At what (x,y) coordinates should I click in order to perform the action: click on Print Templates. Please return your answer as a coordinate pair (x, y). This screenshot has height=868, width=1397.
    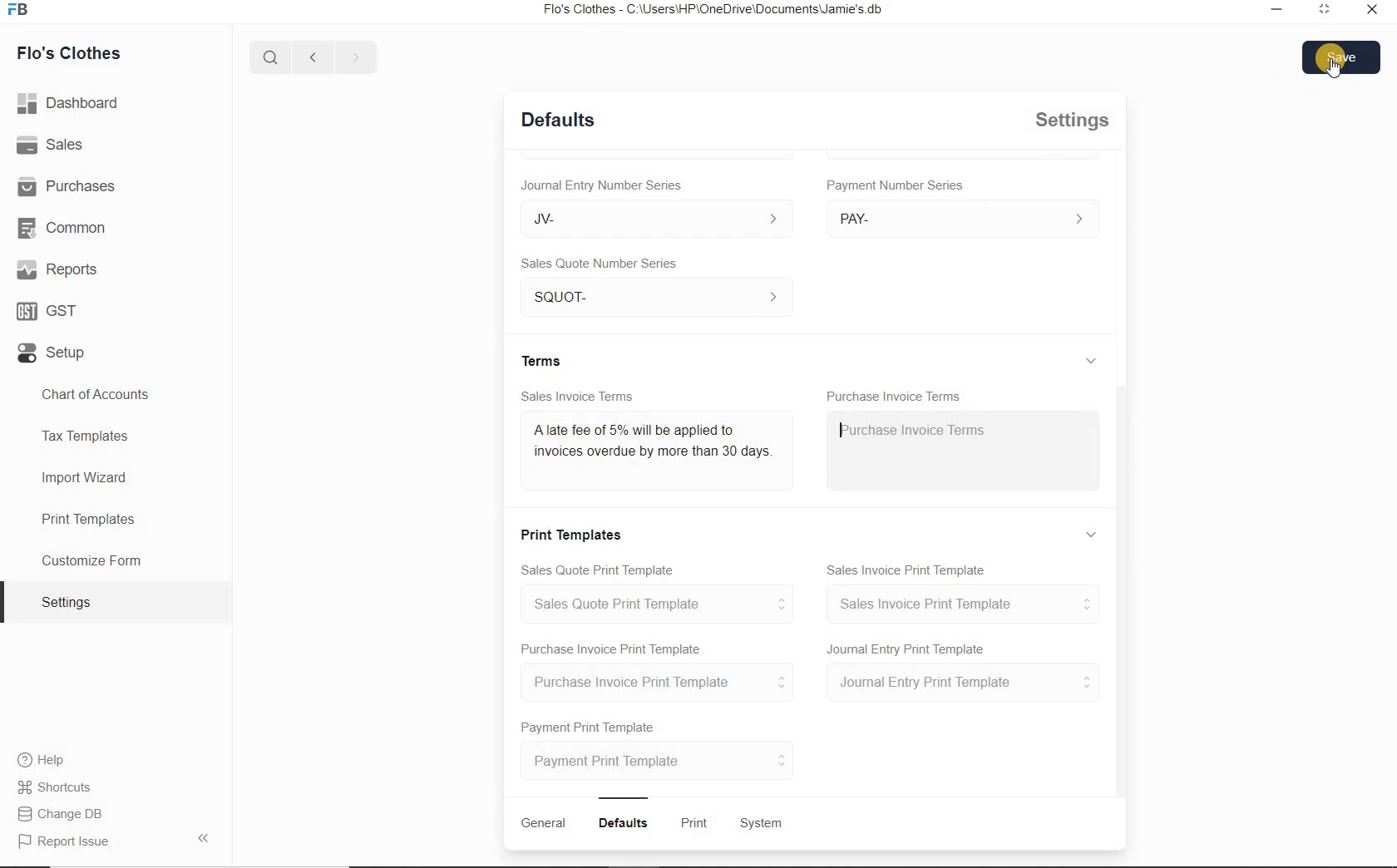
    Looking at the image, I should click on (575, 532).